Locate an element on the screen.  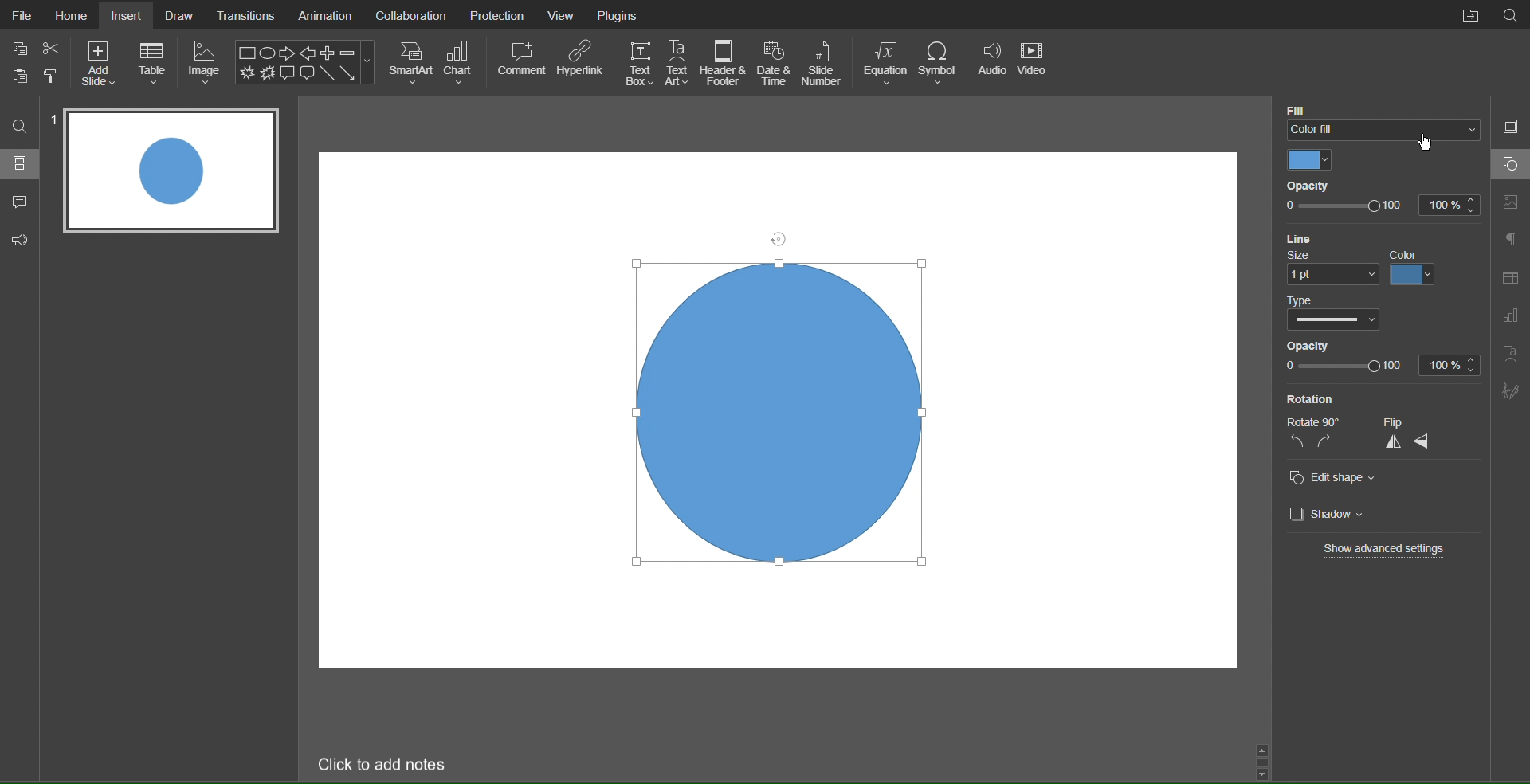
Feedback and Support is located at coordinates (20, 237).